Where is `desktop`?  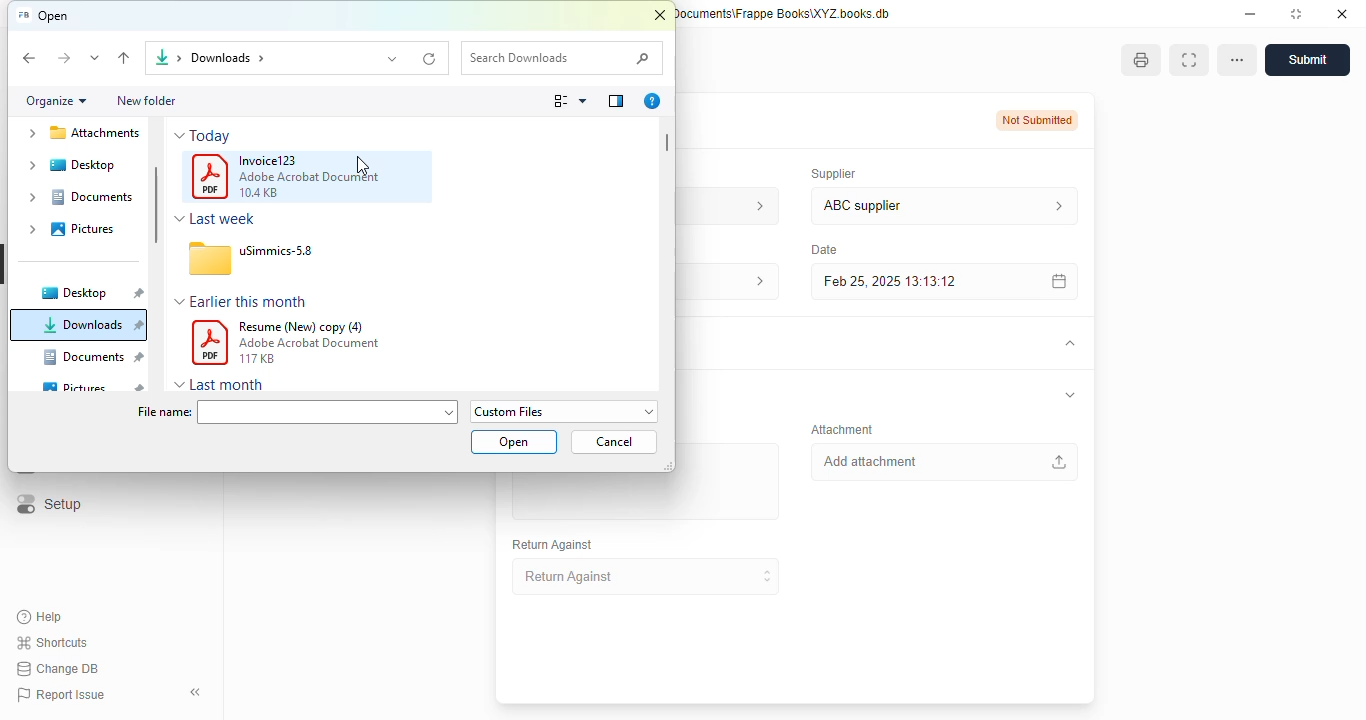
desktop is located at coordinates (90, 293).